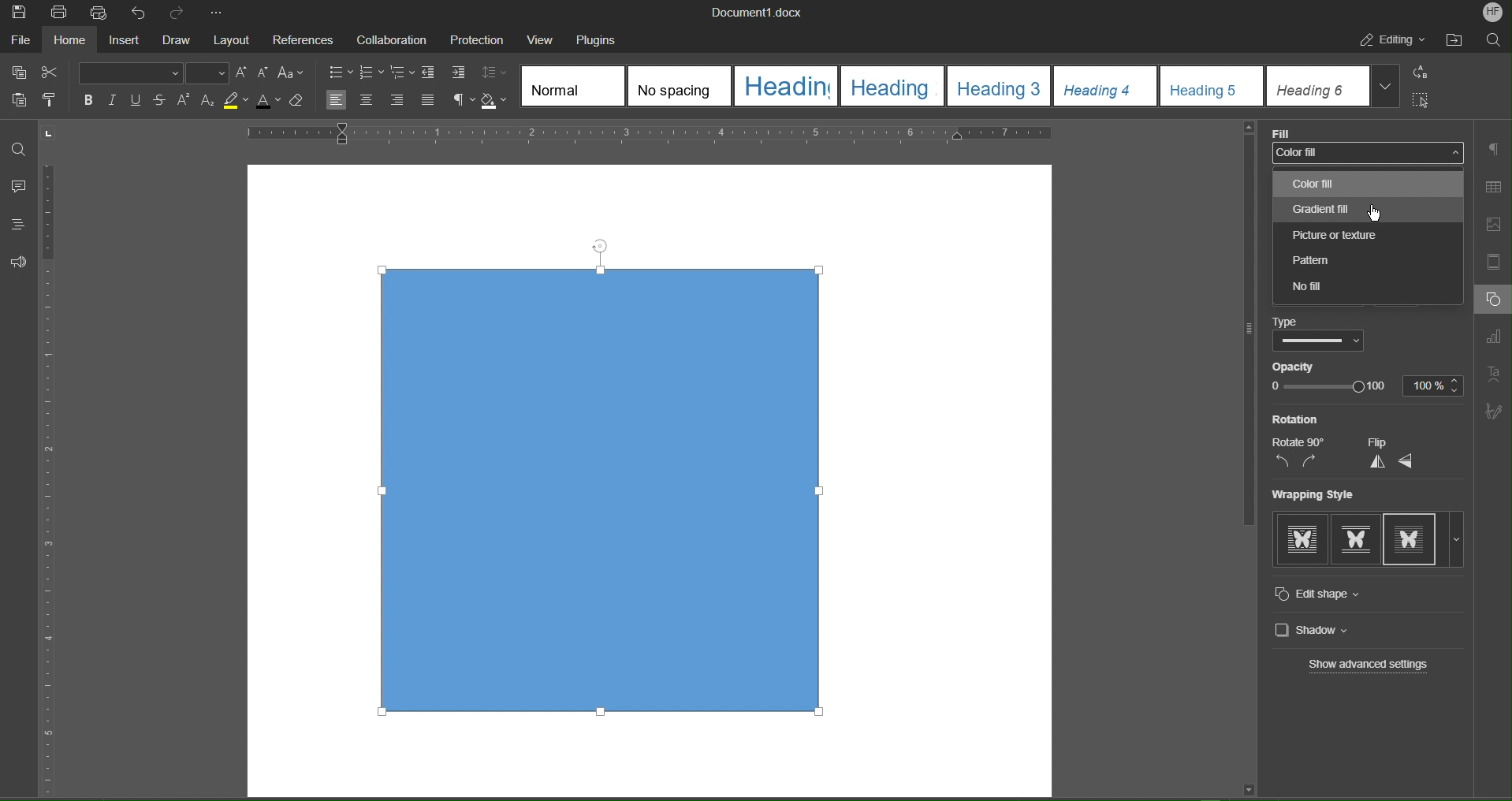 The height and width of the screenshot is (801, 1512). Describe the element at coordinates (58, 13) in the screenshot. I see `Print` at that location.